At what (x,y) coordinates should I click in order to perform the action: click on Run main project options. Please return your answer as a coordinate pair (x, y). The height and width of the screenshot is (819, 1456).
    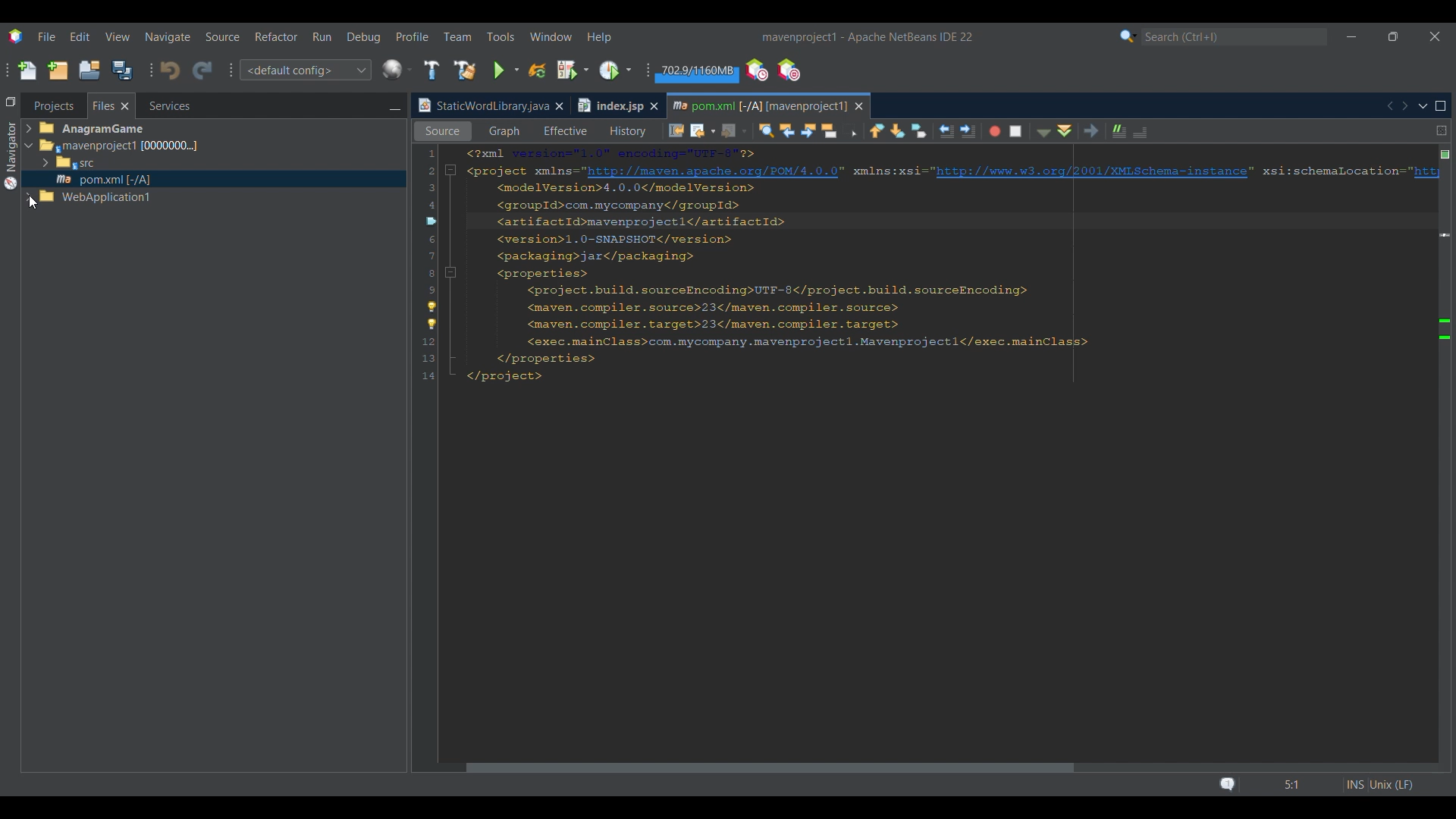
    Looking at the image, I should click on (507, 71).